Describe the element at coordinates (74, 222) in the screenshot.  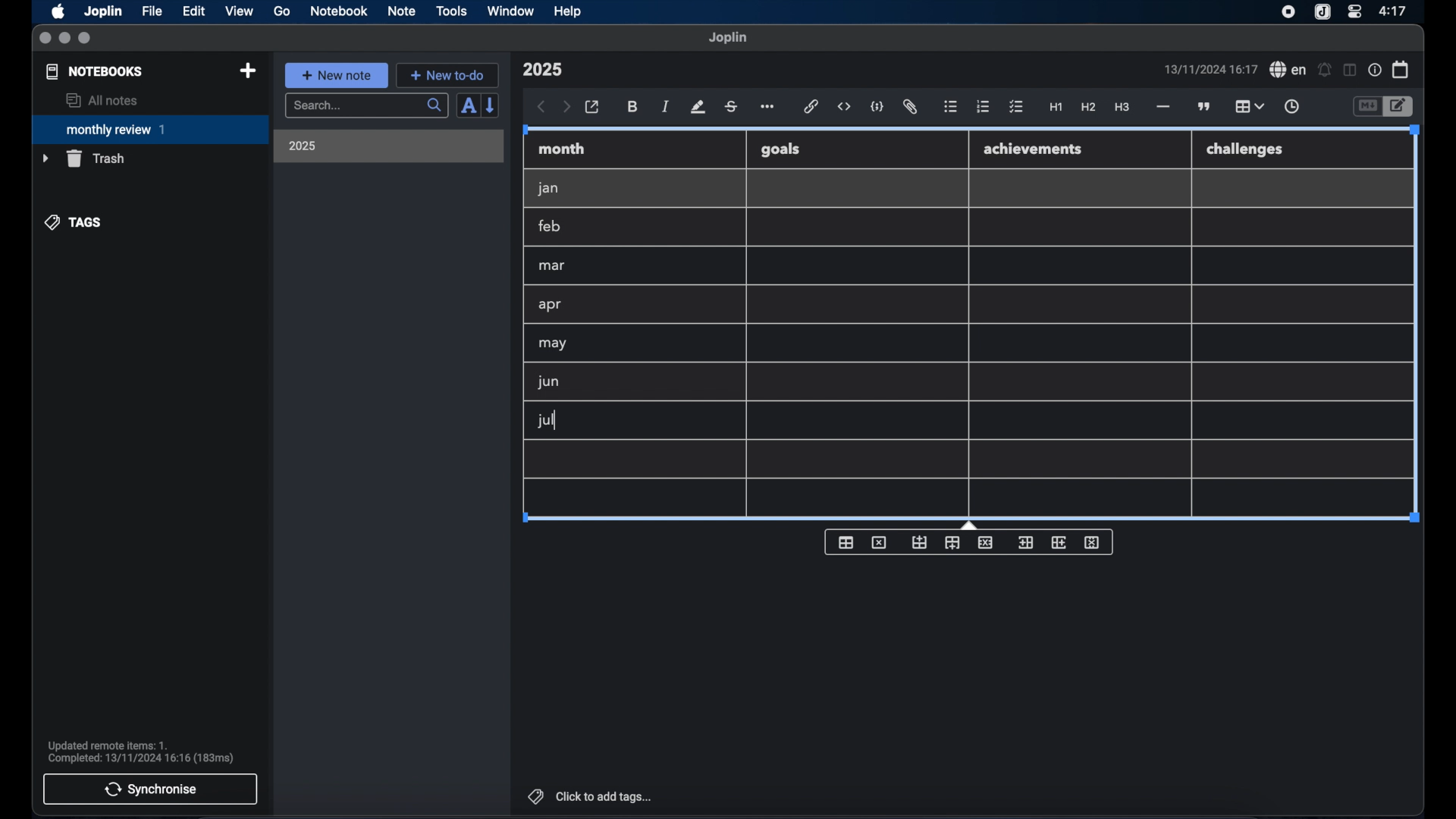
I see `tags` at that location.